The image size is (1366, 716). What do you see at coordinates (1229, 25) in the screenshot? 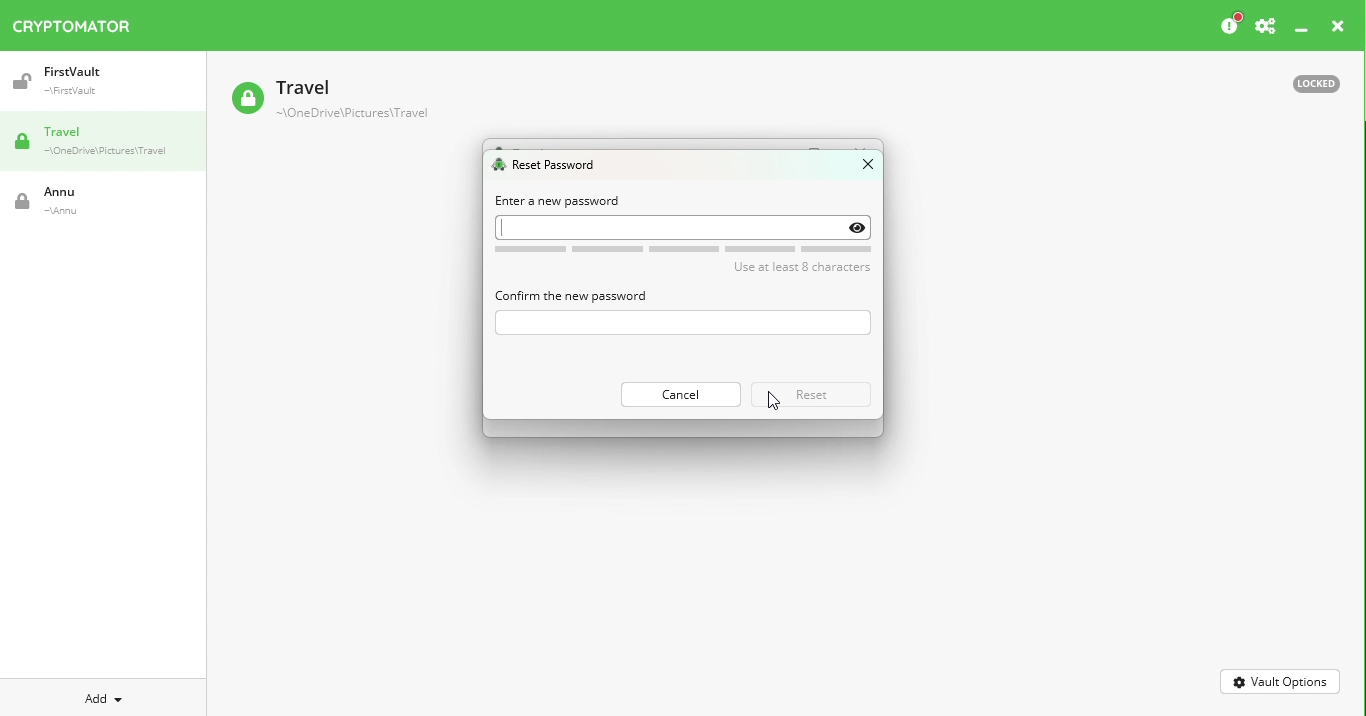
I see `Please consider donating` at bounding box center [1229, 25].